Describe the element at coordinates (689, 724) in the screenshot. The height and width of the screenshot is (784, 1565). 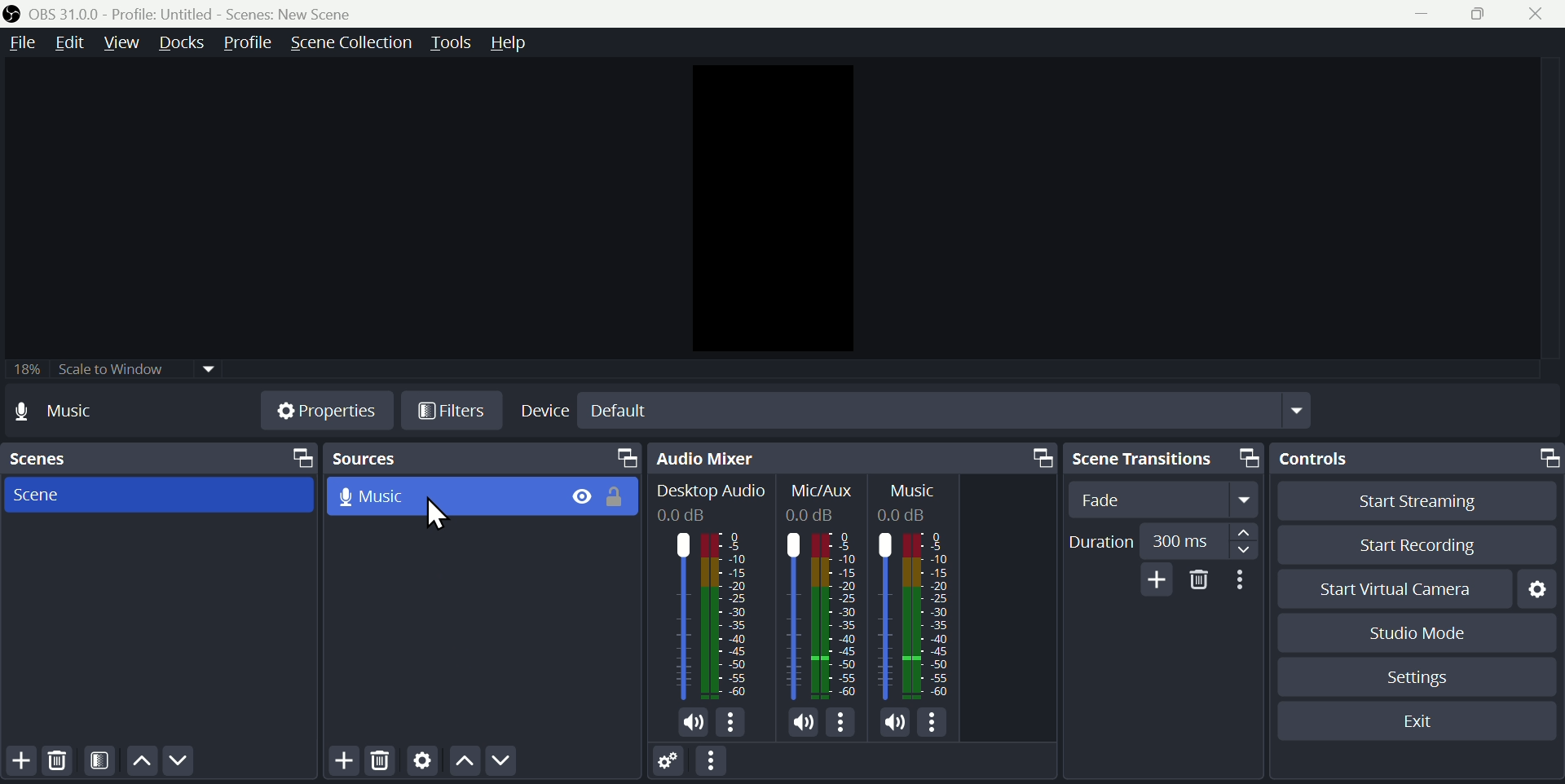
I see `Sound` at that location.